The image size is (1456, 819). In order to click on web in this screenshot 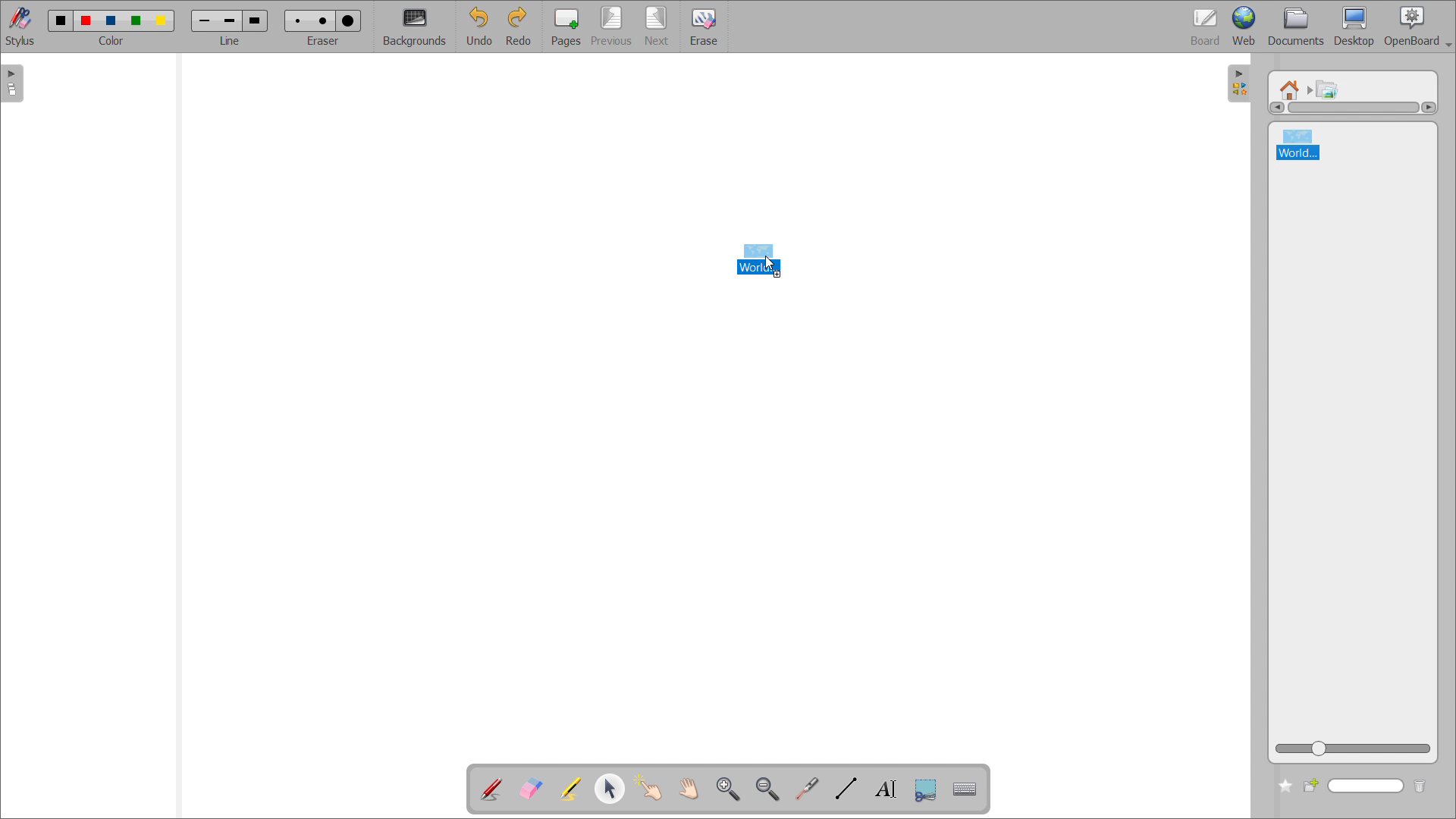, I will do `click(1245, 27)`.